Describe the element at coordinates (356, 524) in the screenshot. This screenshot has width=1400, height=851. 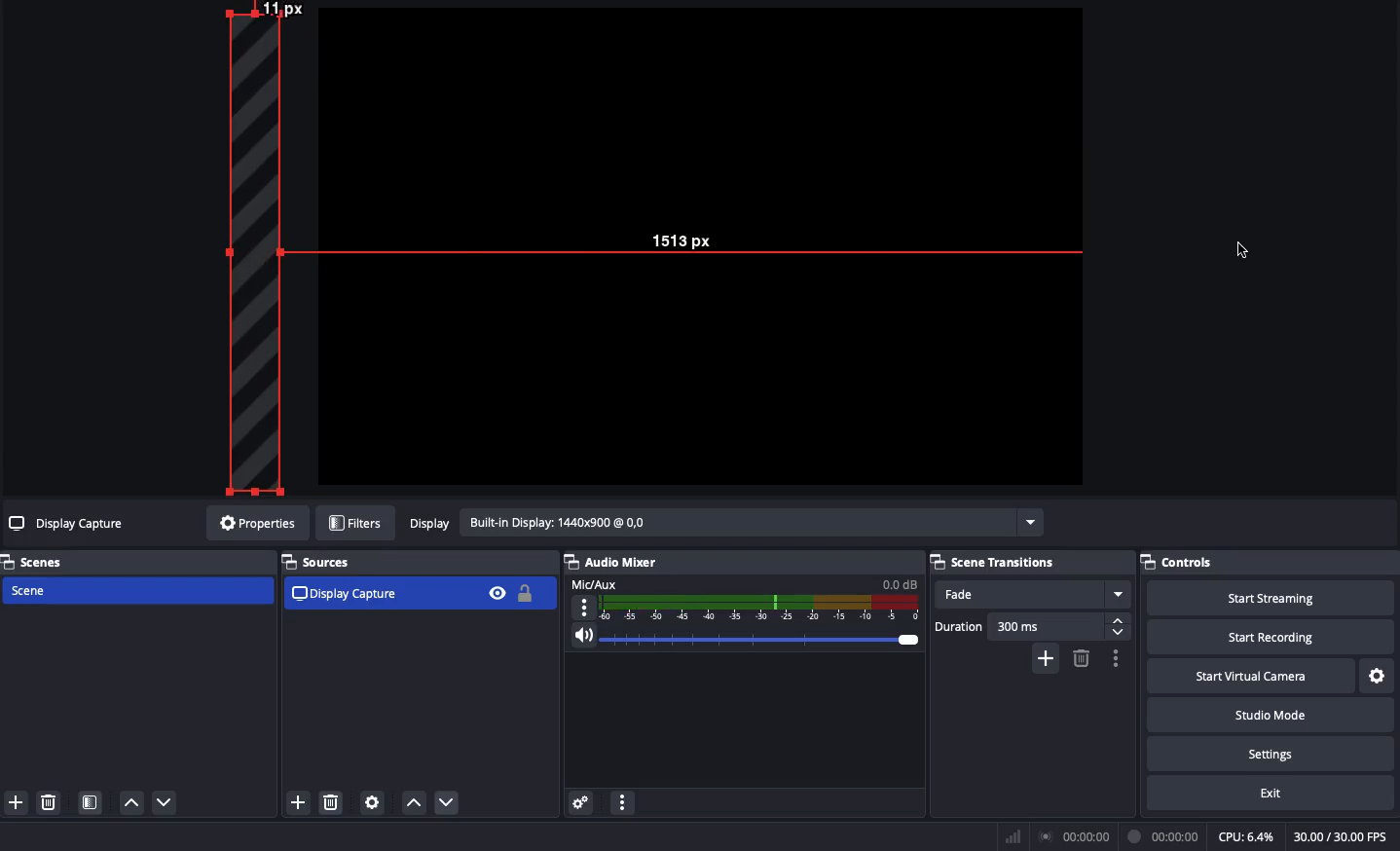
I see `Filters` at that location.